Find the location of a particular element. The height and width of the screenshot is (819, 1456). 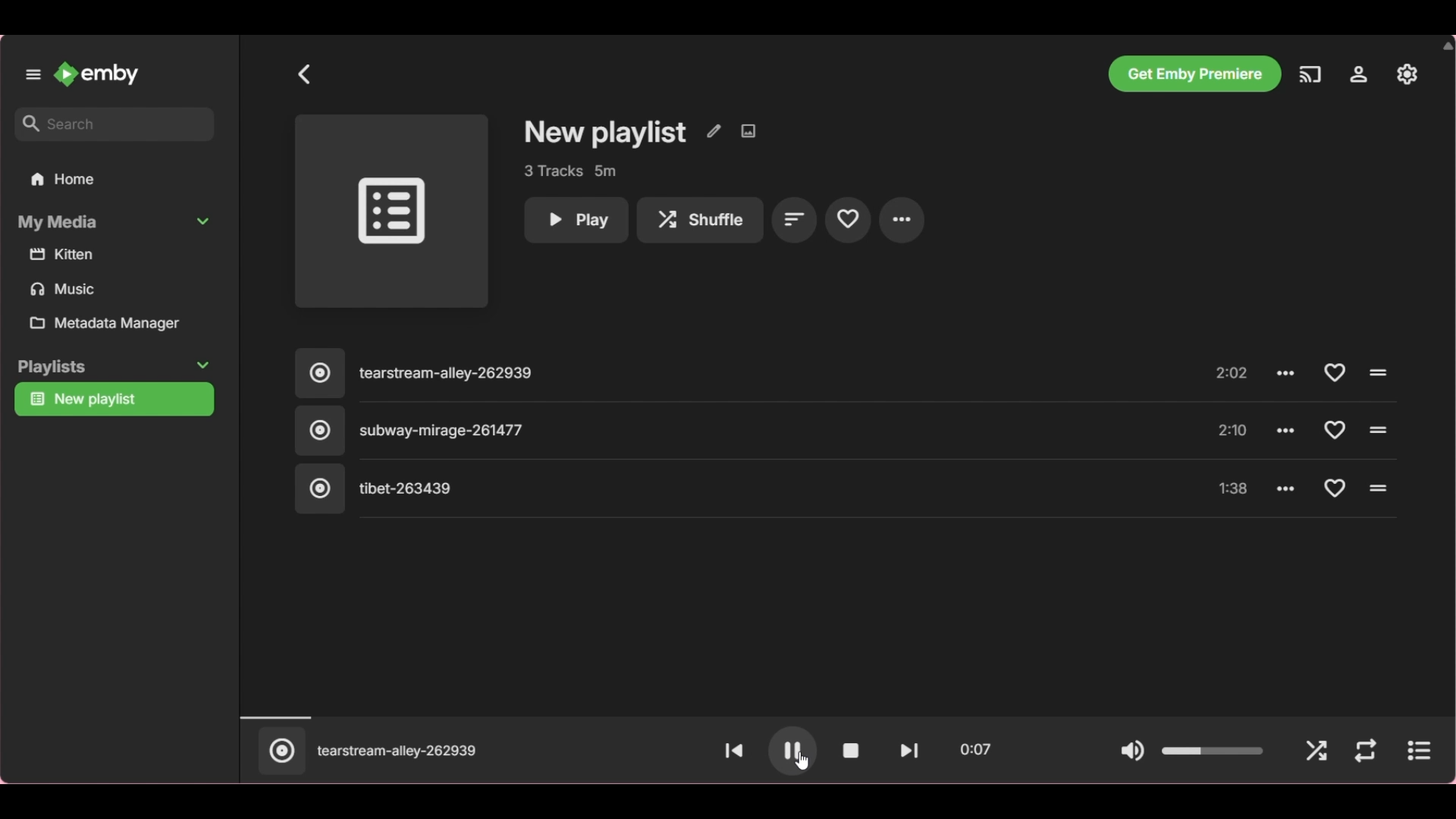

Edit images is located at coordinates (748, 131).